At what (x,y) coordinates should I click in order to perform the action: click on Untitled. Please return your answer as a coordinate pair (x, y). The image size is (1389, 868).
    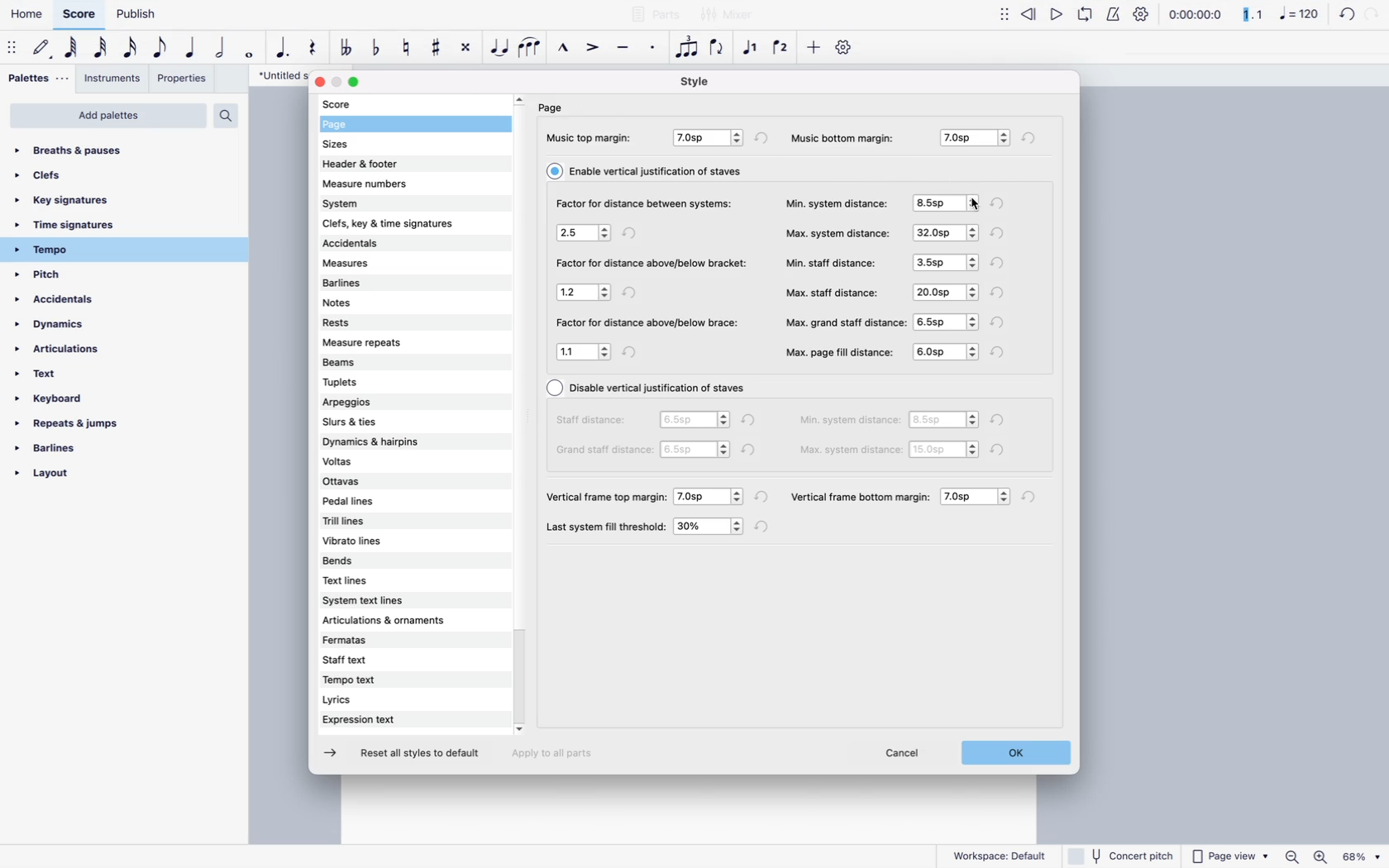
    Looking at the image, I should click on (274, 76).